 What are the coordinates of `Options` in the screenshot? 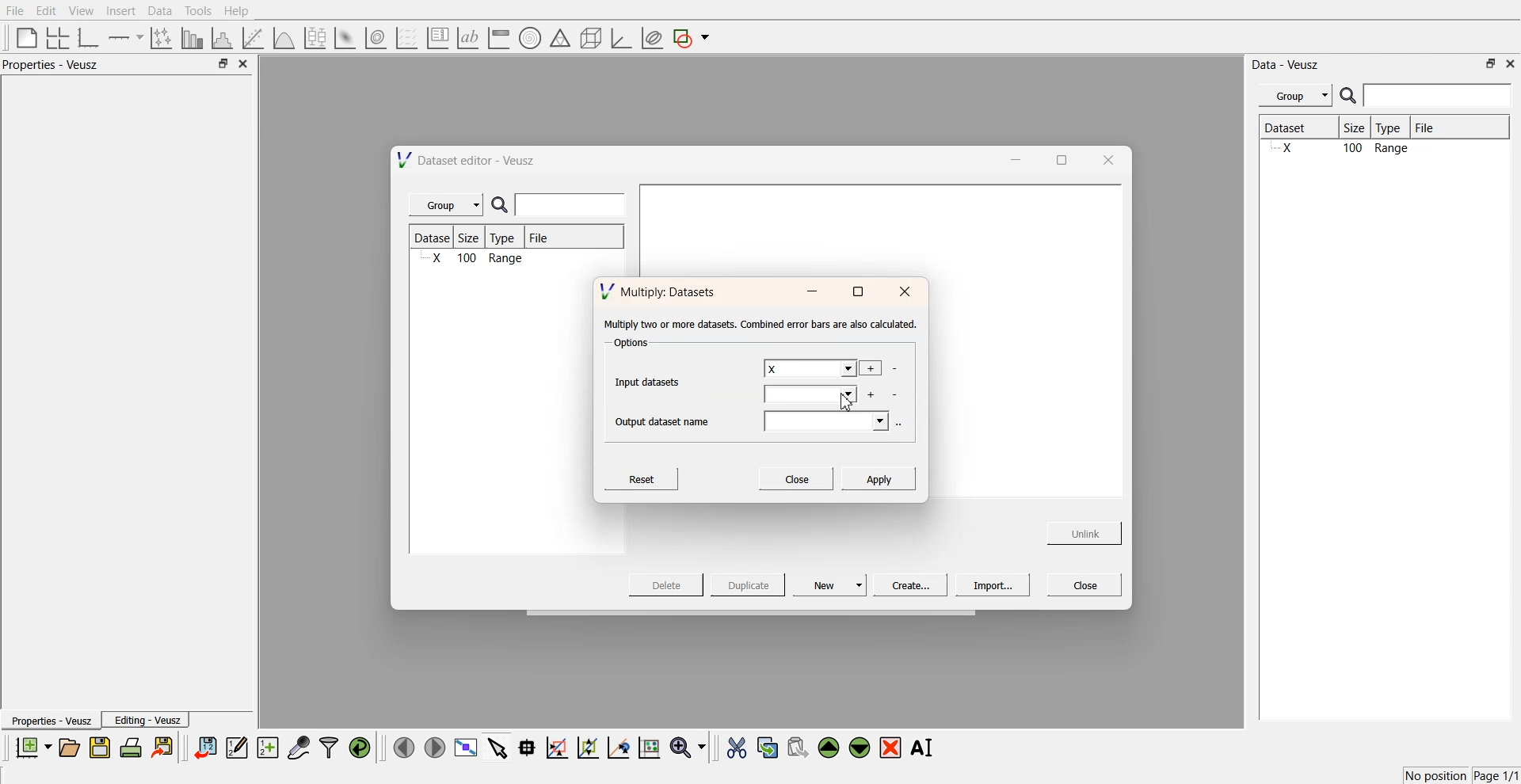 It's located at (629, 344).